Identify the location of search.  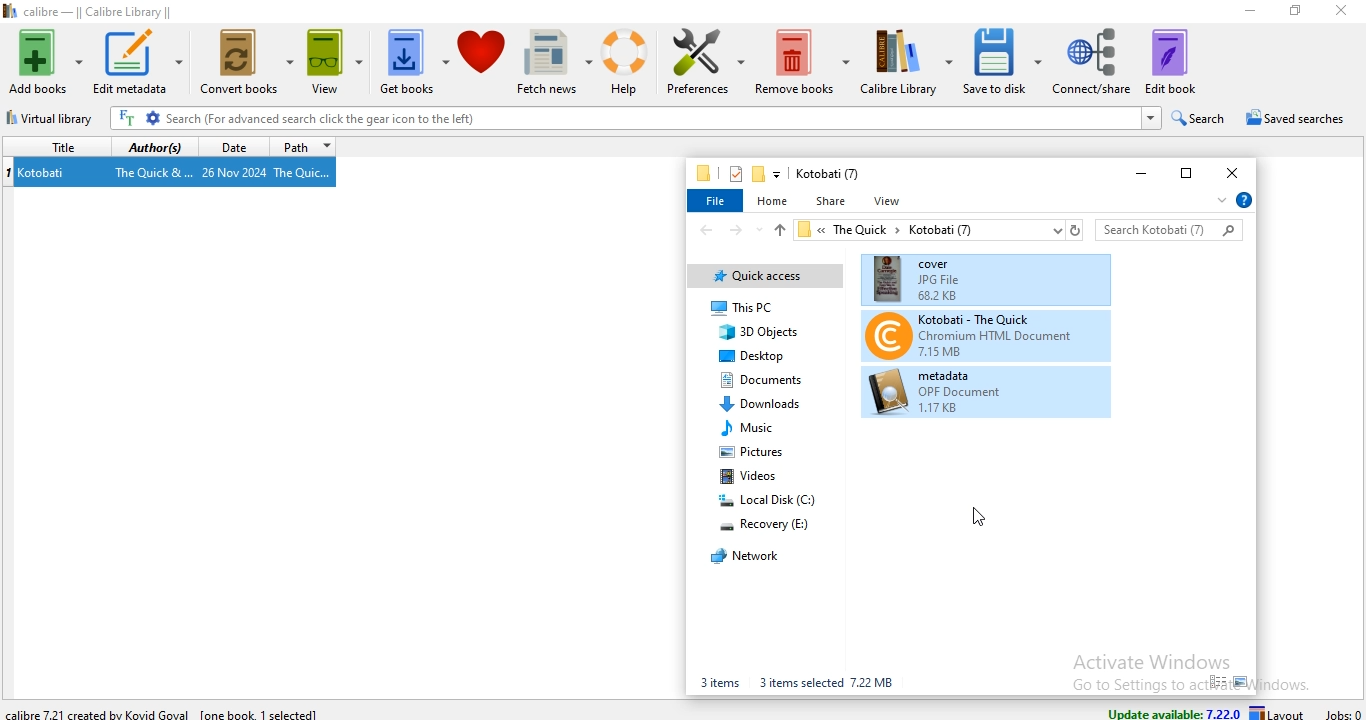
(1199, 116).